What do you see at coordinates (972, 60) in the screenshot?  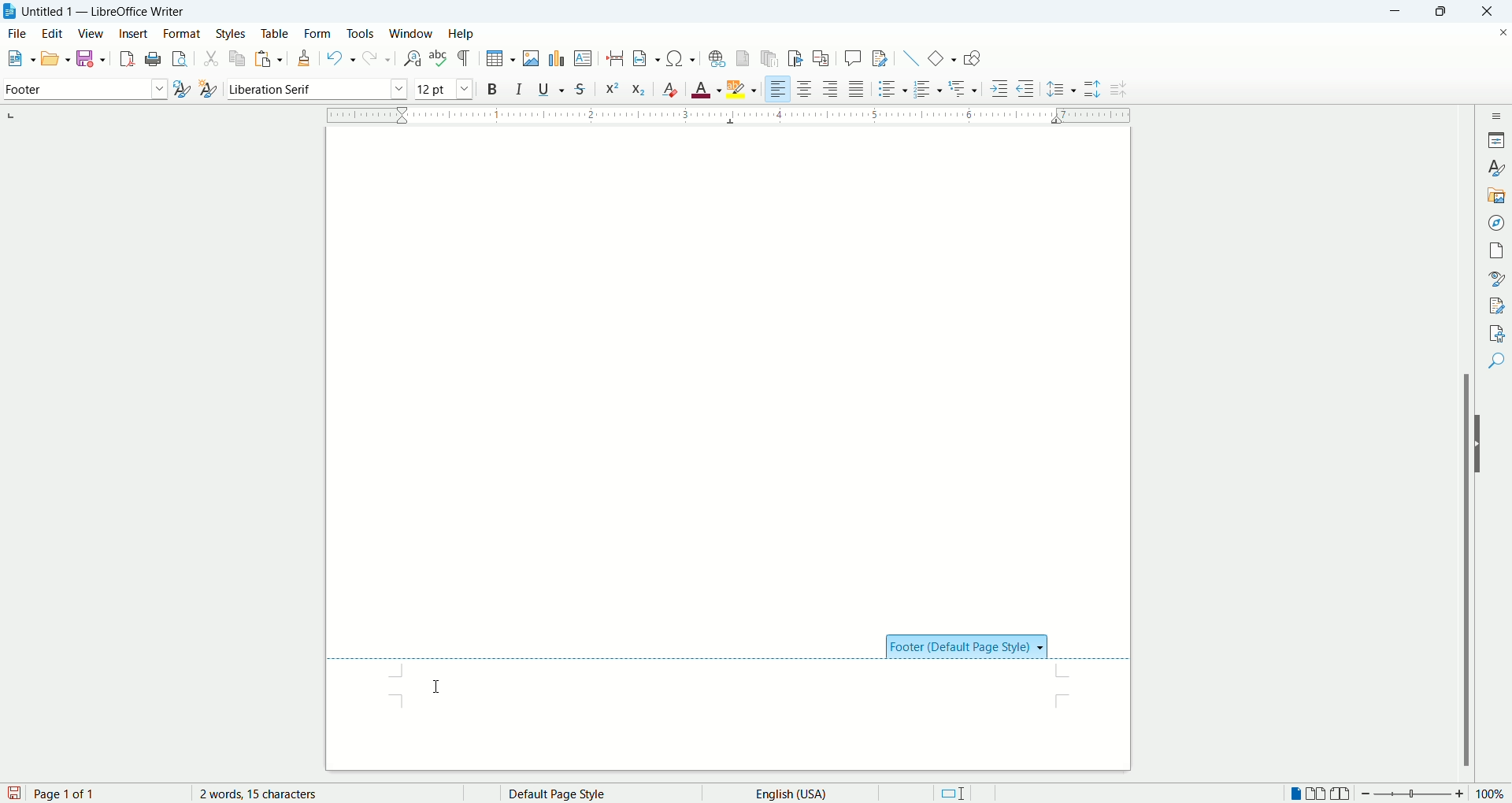 I see `show draw functions` at bounding box center [972, 60].